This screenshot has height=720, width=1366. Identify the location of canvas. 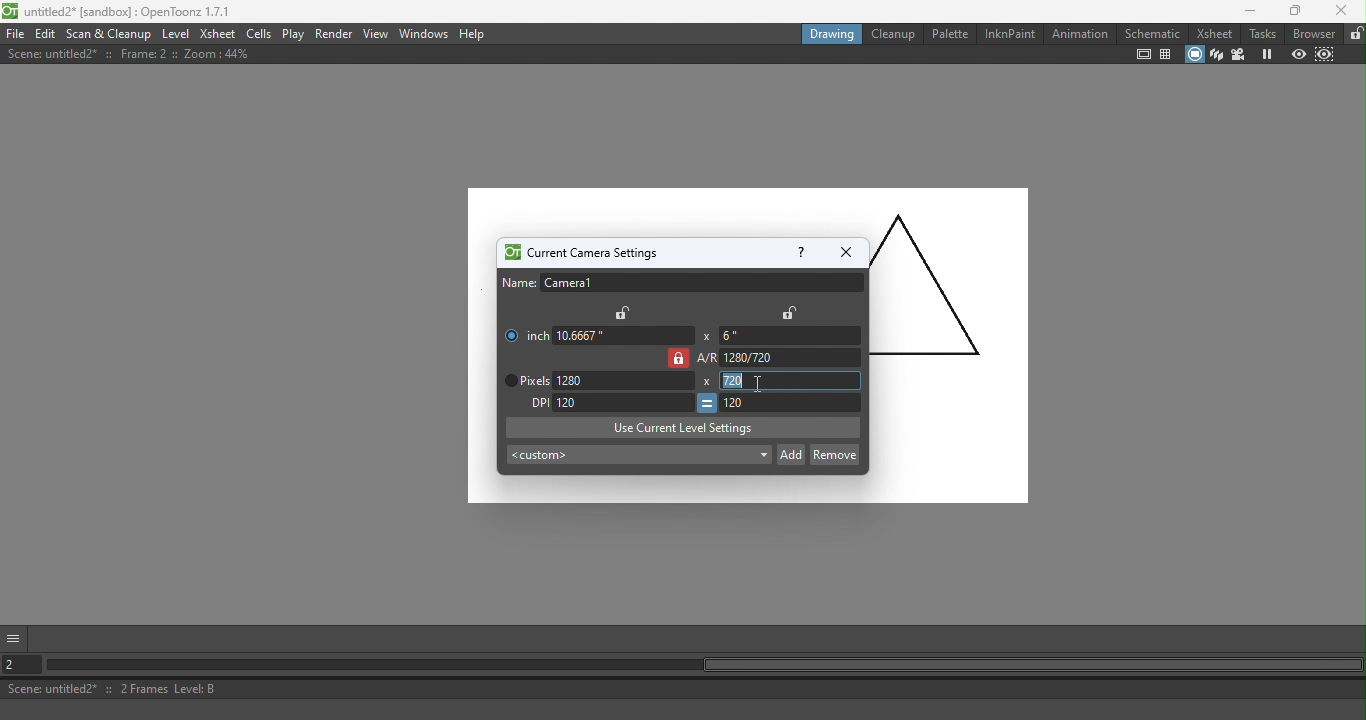
(949, 347).